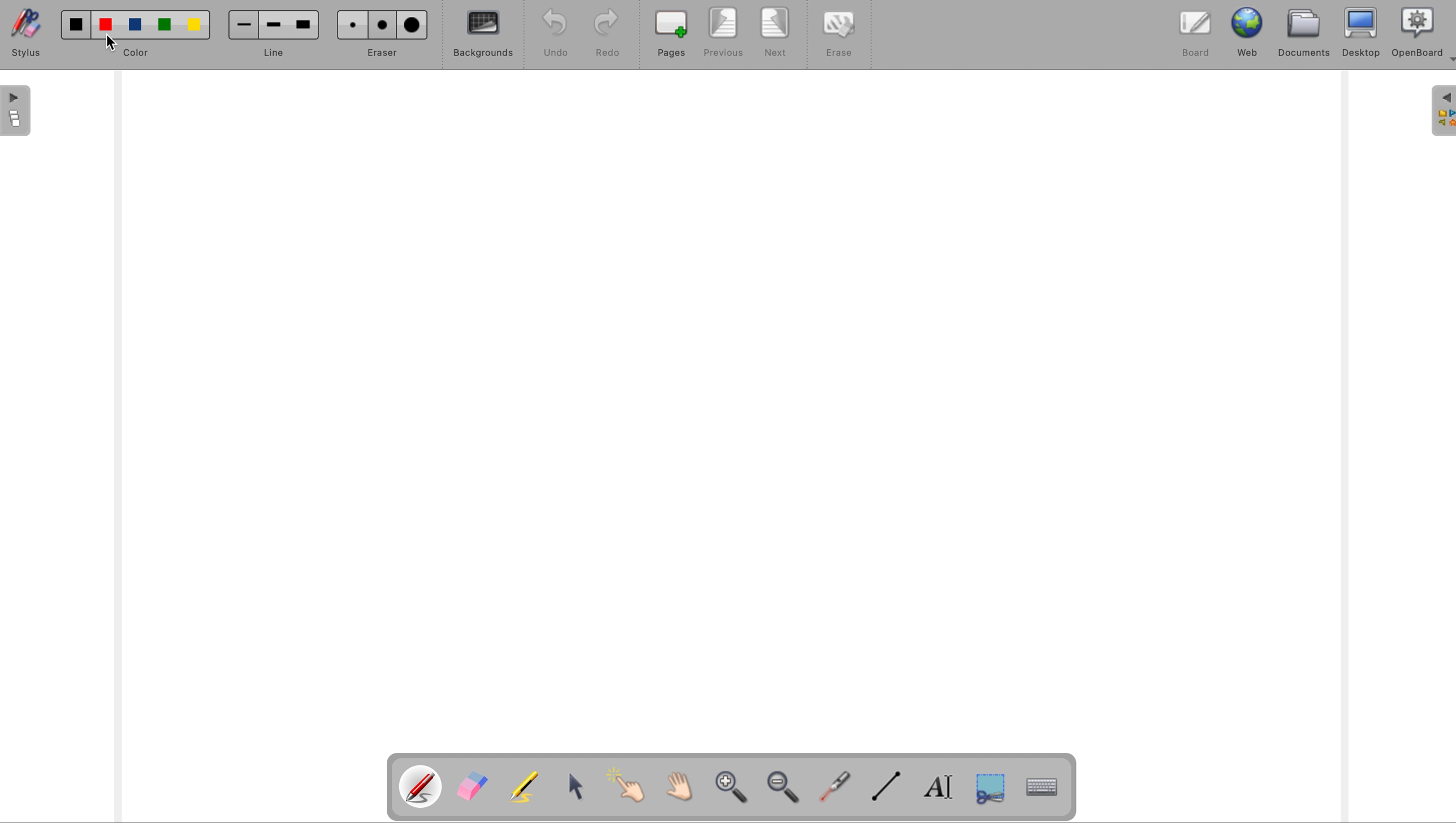 This screenshot has width=1456, height=823. I want to click on line, so click(271, 35).